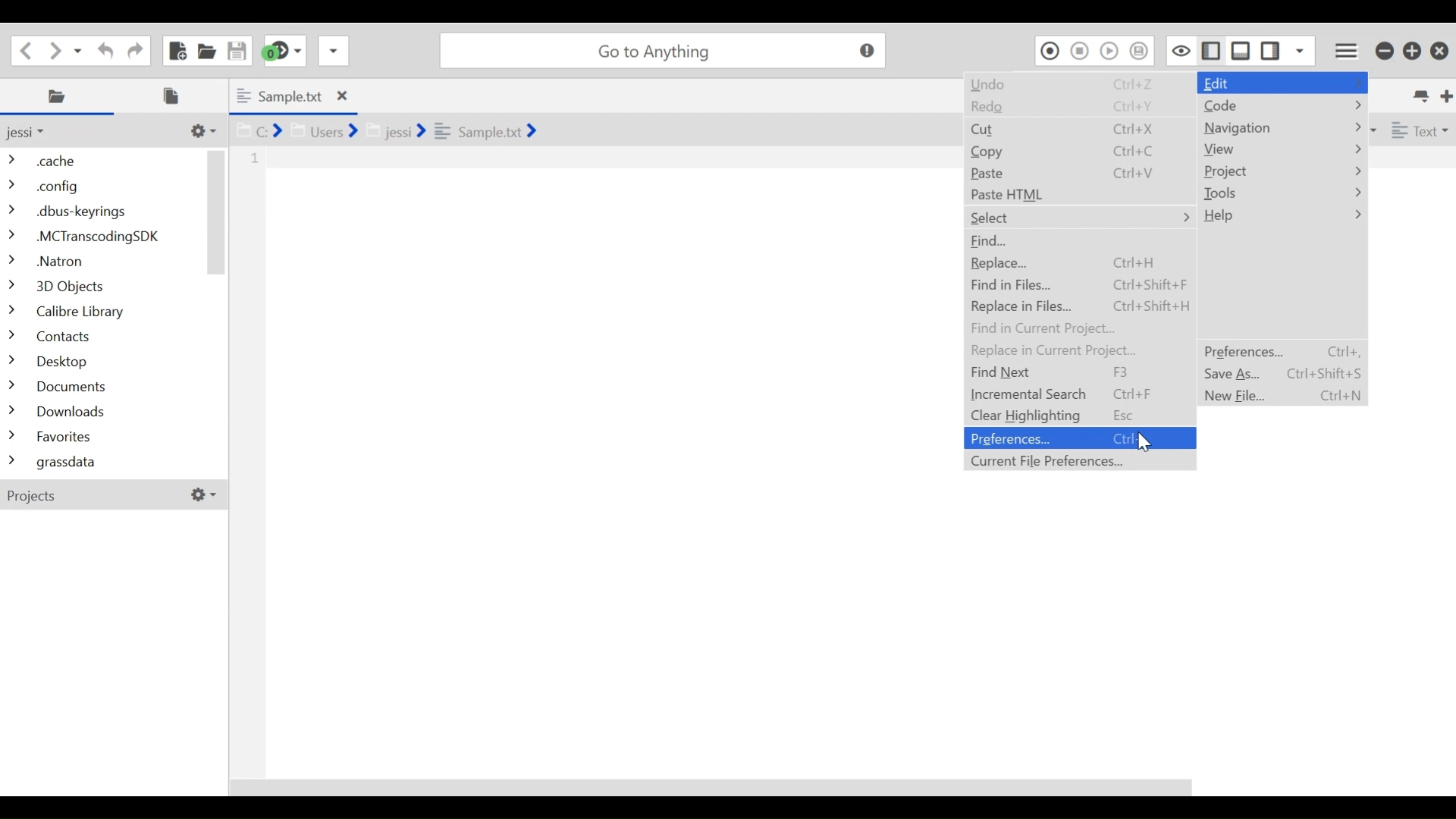 This screenshot has width=1456, height=819. Describe the element at coordinates (1078, 129) in the screenshot. I see `Cut` at that location.